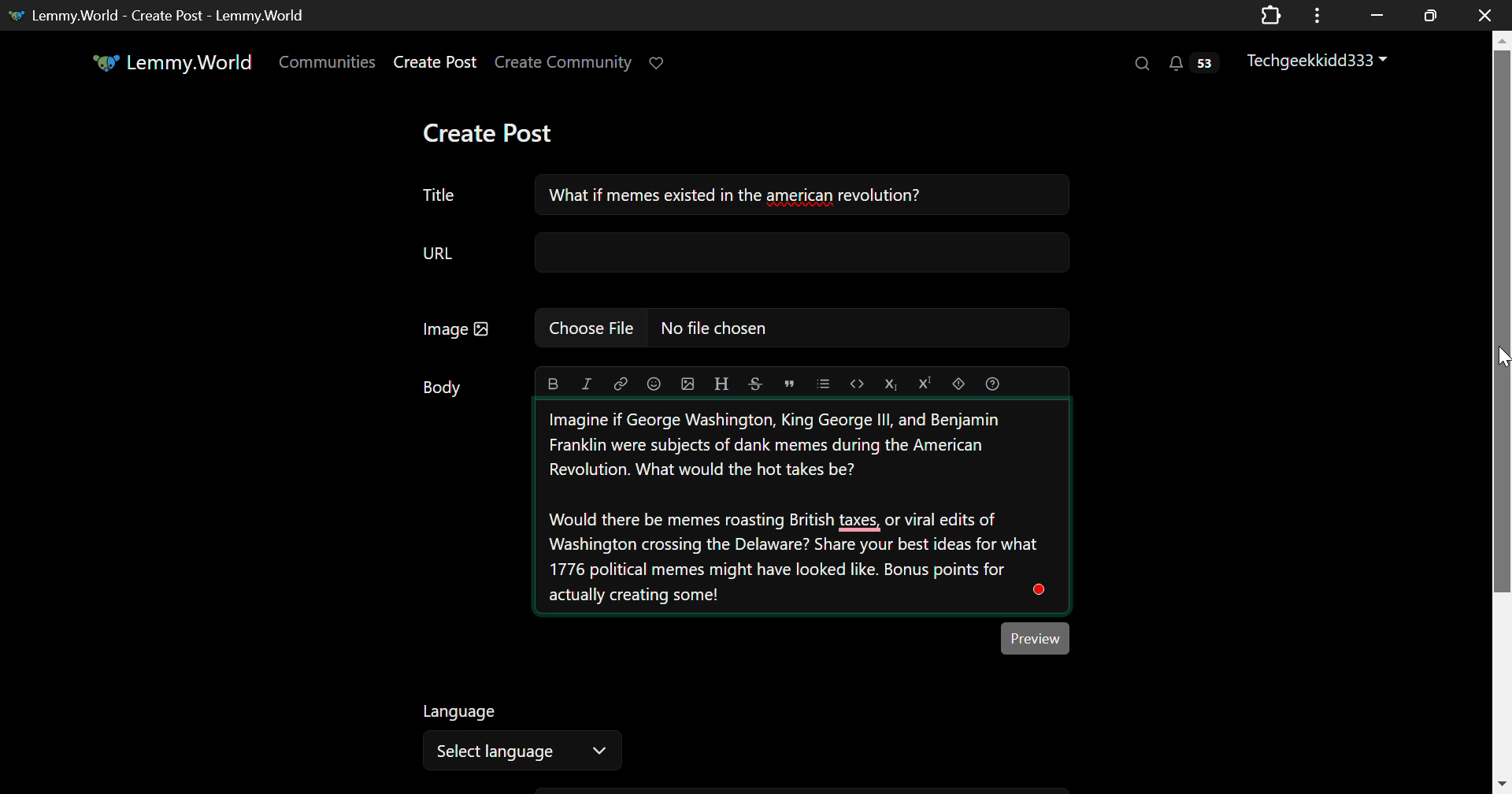 This screenshot has height=794, width=1512. Describe the element at coordinates (991, 384) in the screenshot. I see `Formatting Help` at that location.